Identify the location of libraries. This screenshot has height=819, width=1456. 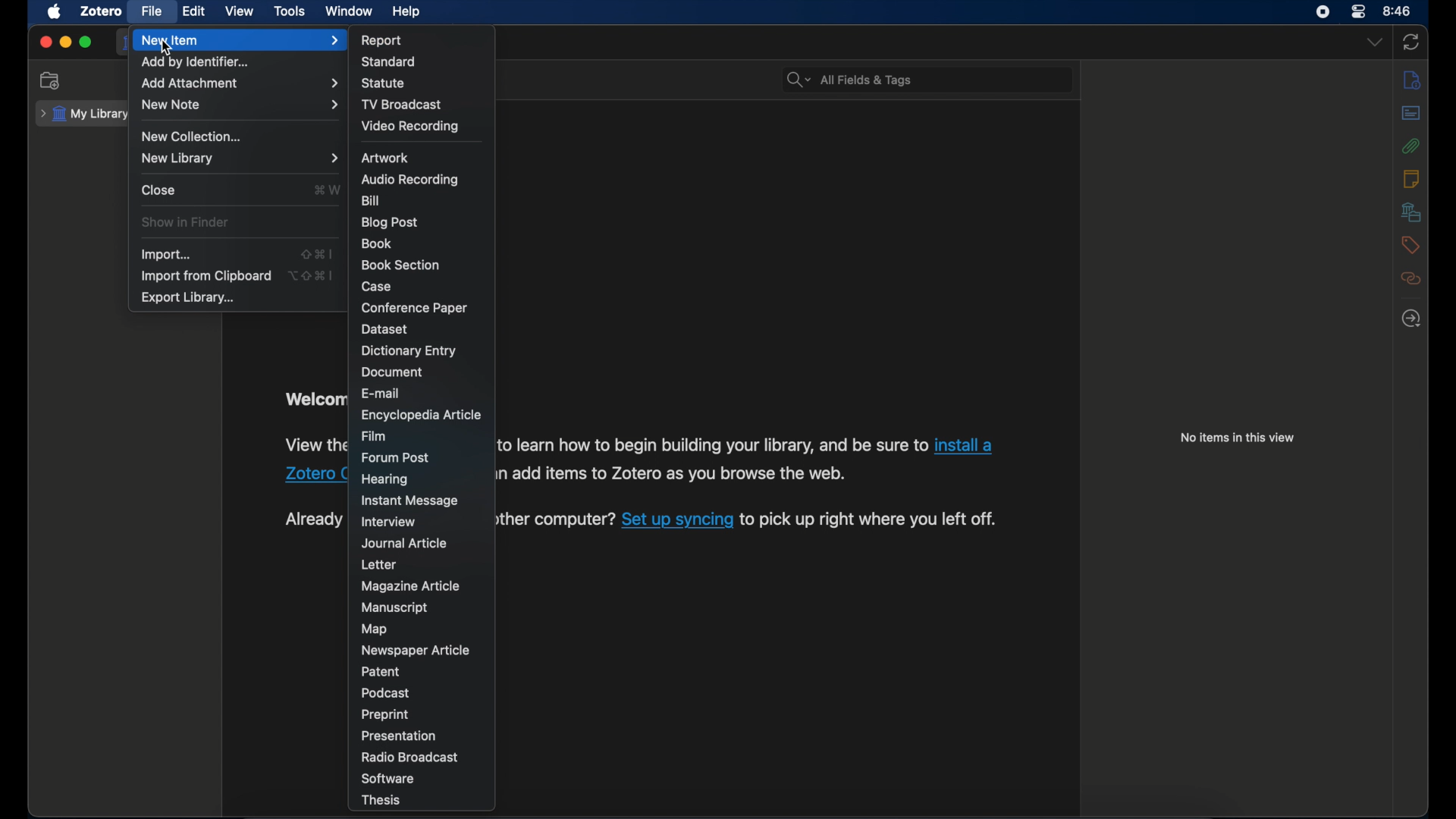
(1412, 212).